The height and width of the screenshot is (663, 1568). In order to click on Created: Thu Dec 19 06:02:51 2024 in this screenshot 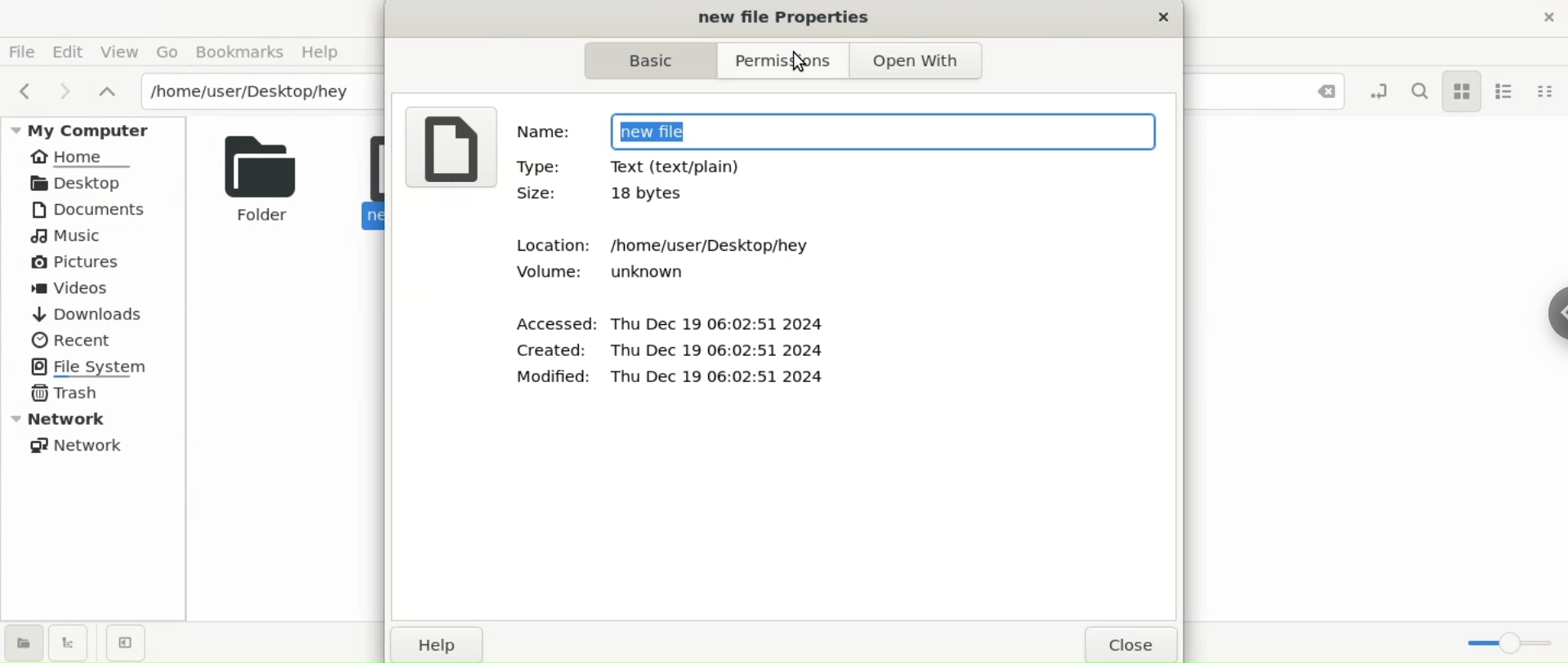, I will do `click(666, 351)`.